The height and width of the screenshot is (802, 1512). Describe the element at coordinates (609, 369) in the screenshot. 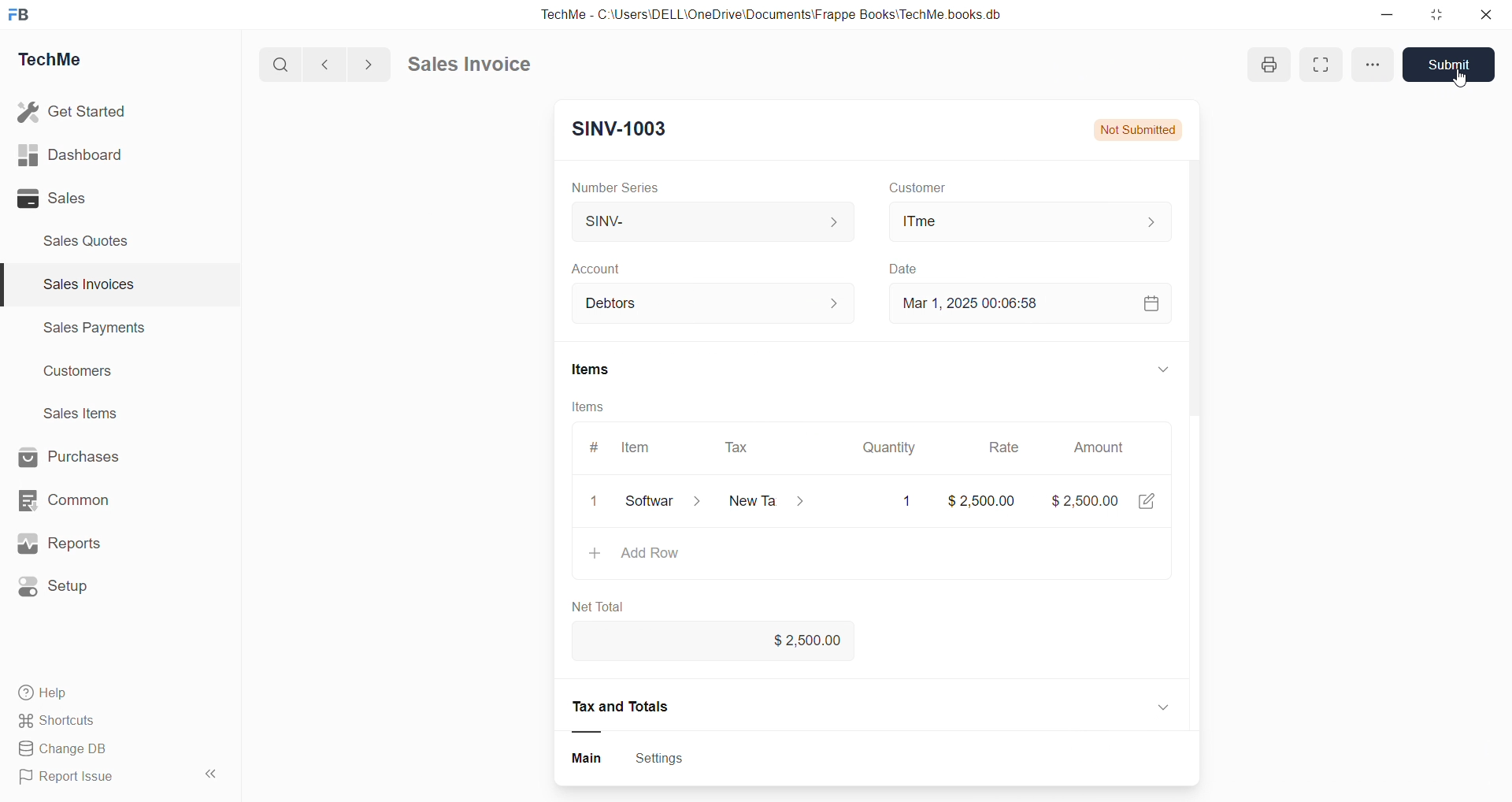

I see `Items` at that location.